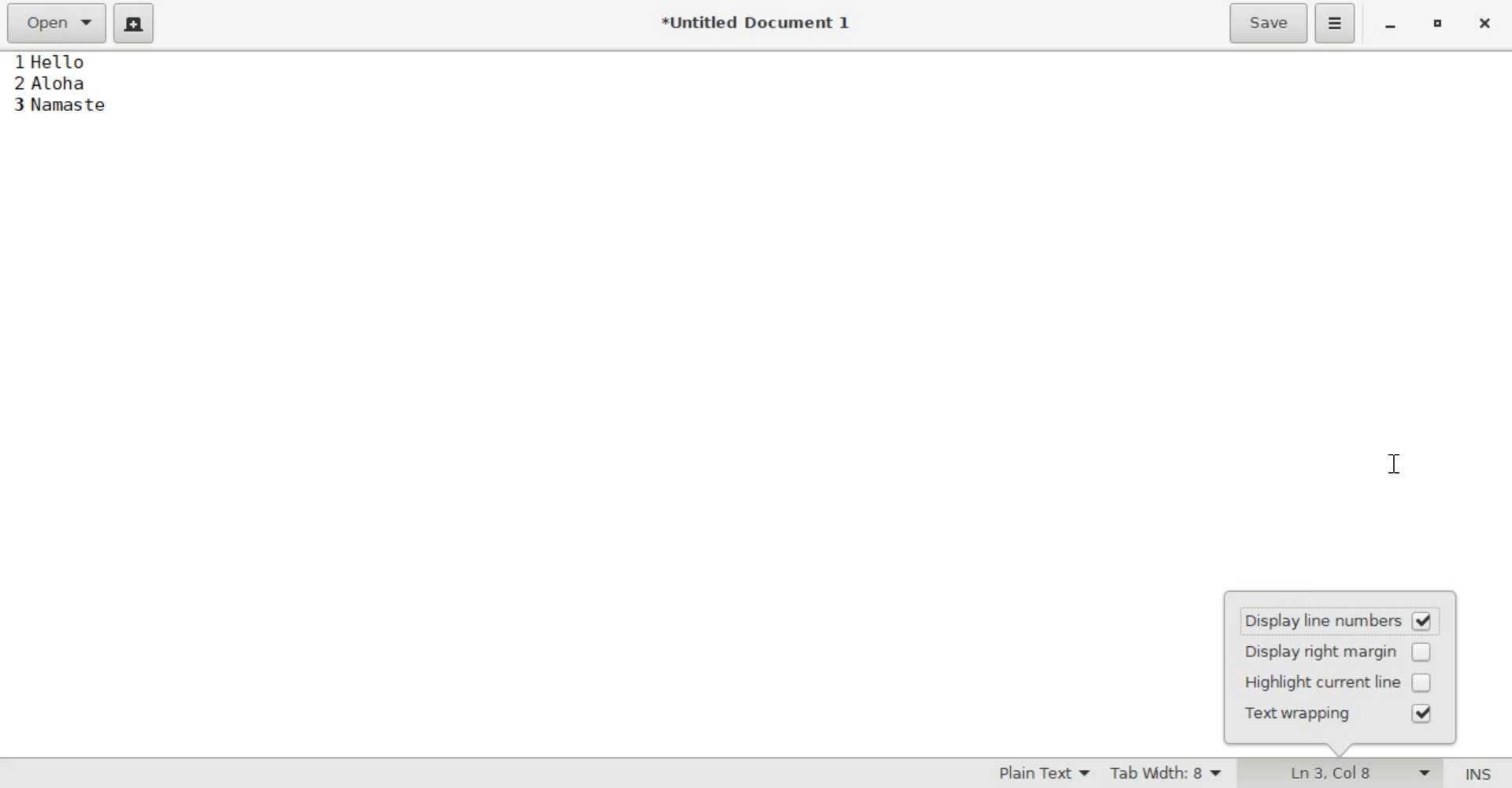 The width and height of the screenshot is (1512, 788). I want to click on Selected Checkbox, so click(1422, 623).